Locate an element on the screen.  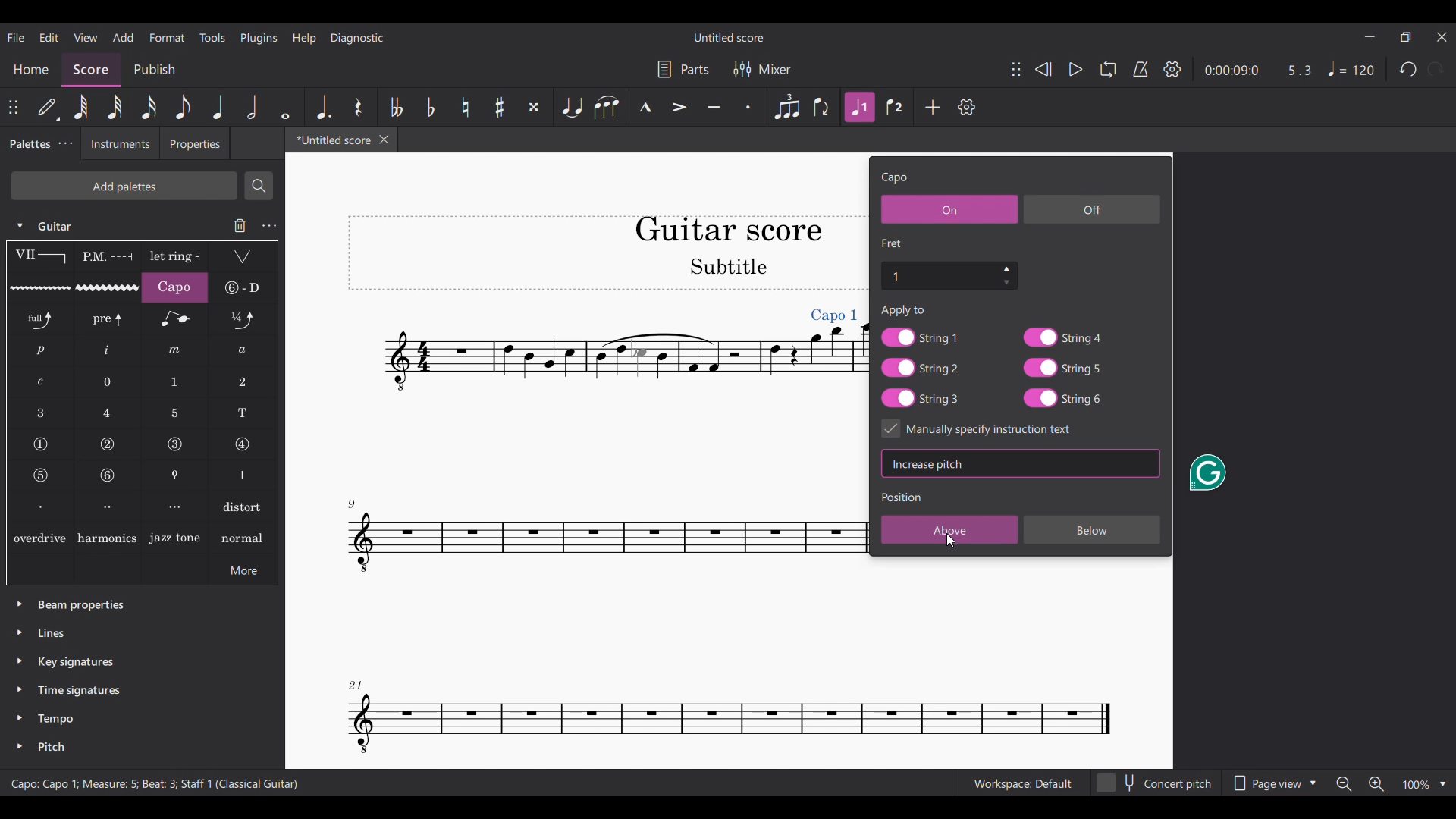
Setting title is located at coordinates (895, 178).